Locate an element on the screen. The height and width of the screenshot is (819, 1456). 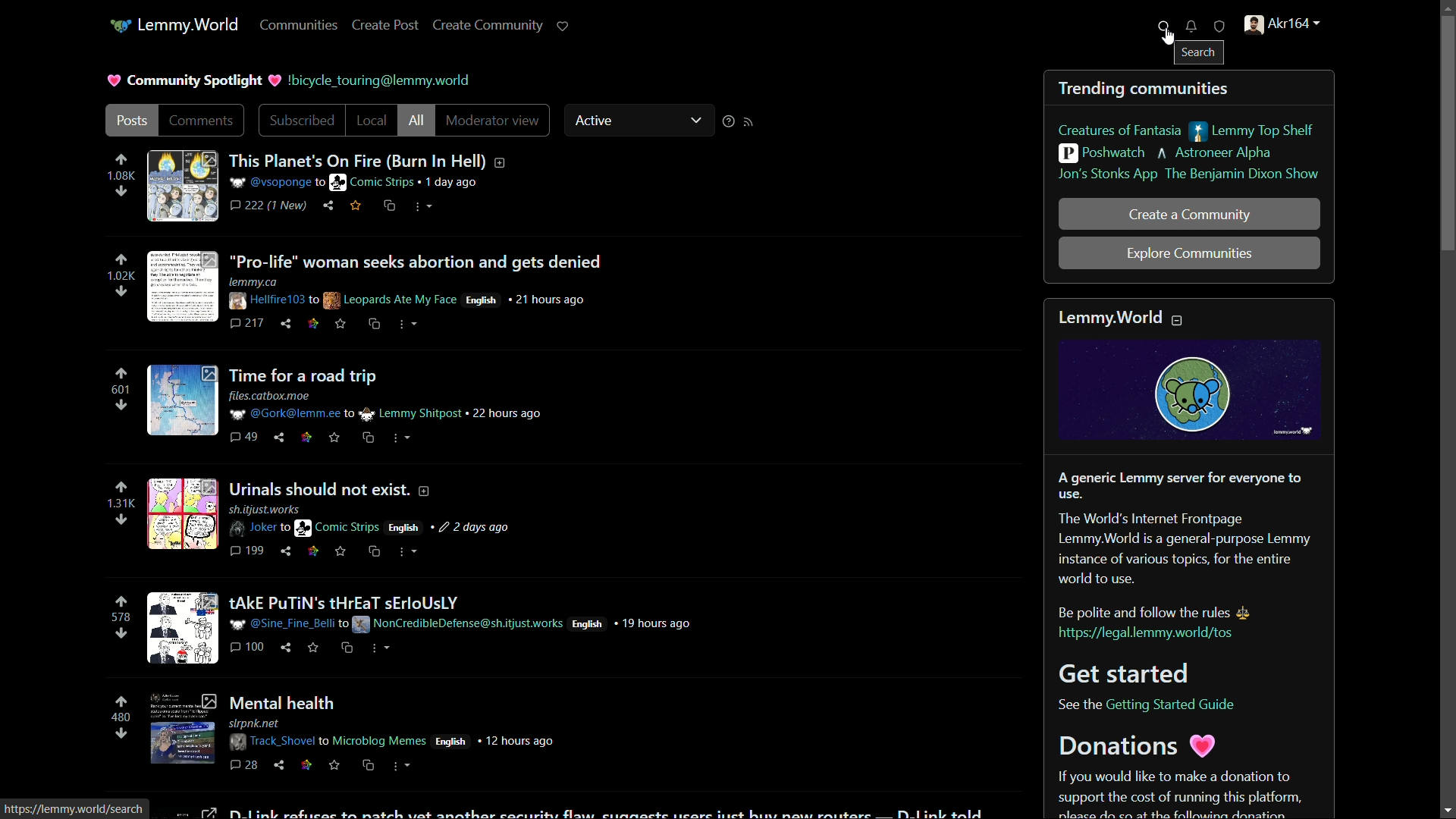
moderator view is located at coordinates (497, 121).